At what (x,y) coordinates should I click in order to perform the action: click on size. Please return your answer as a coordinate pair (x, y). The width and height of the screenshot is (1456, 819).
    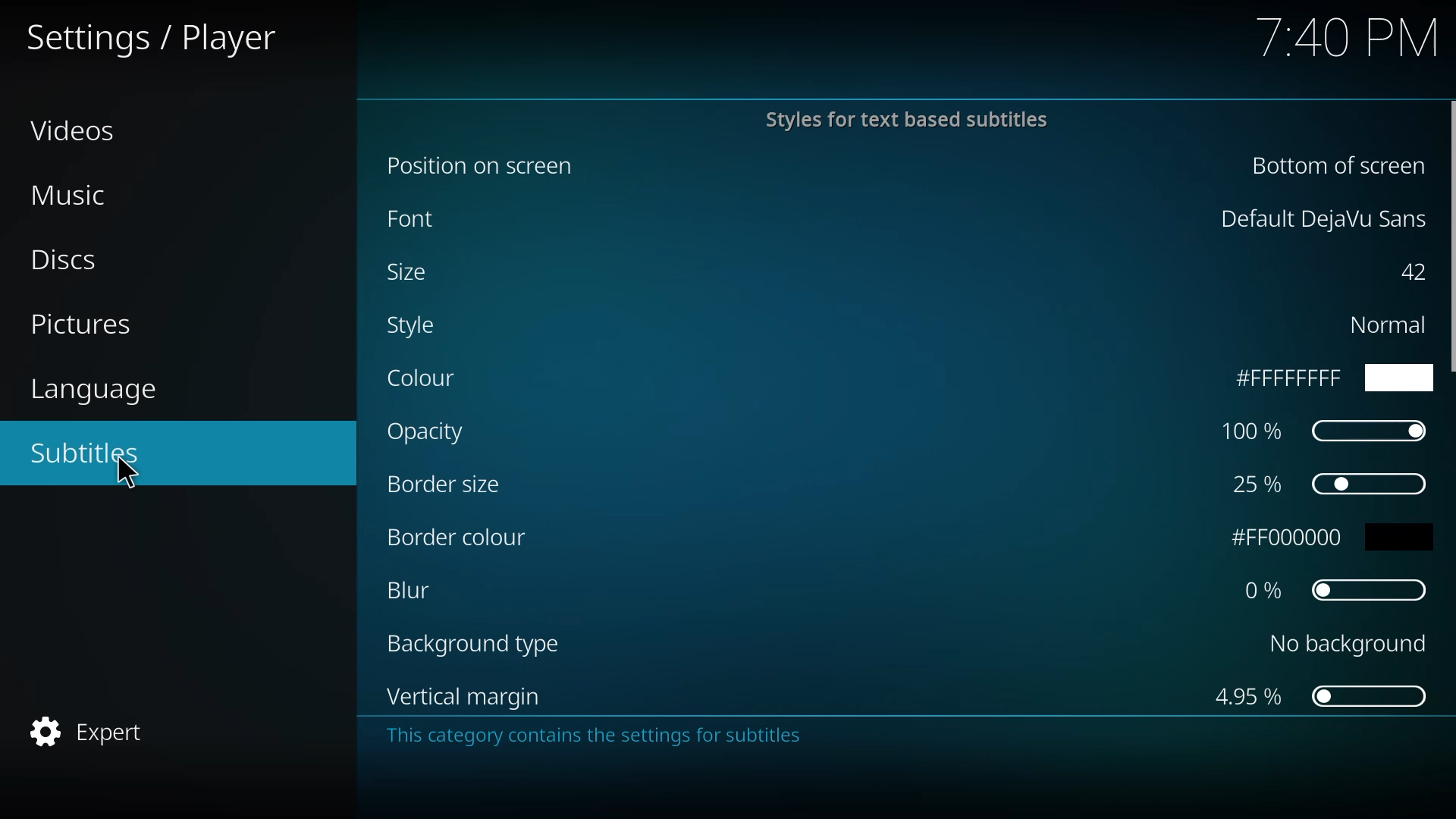
    Looking at the image, I should click on (415, 274).